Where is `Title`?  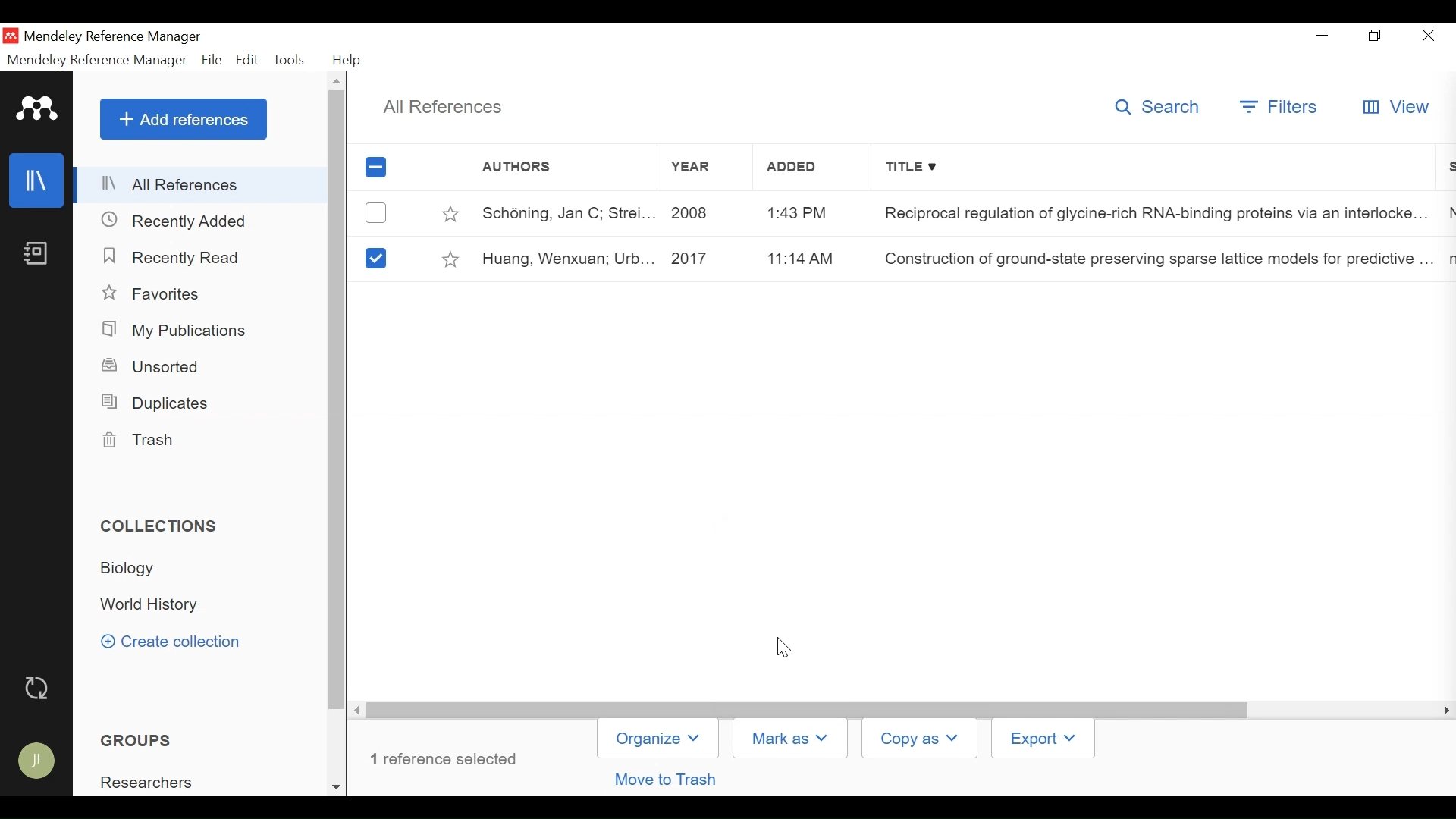 Title is located at coordinates (1156, 169).